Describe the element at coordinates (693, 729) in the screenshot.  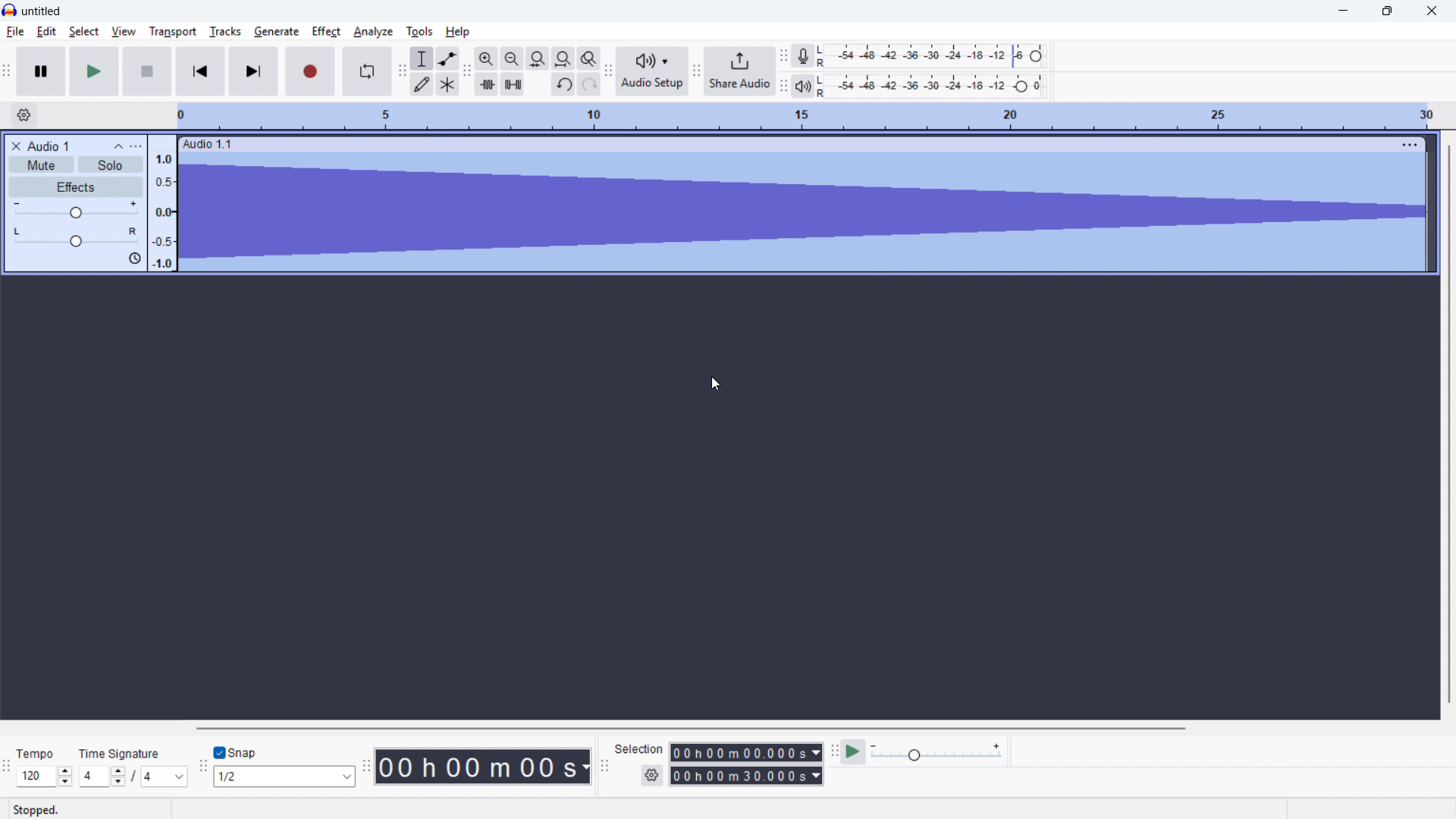
I see `Horizontal scroll bar` at that location.